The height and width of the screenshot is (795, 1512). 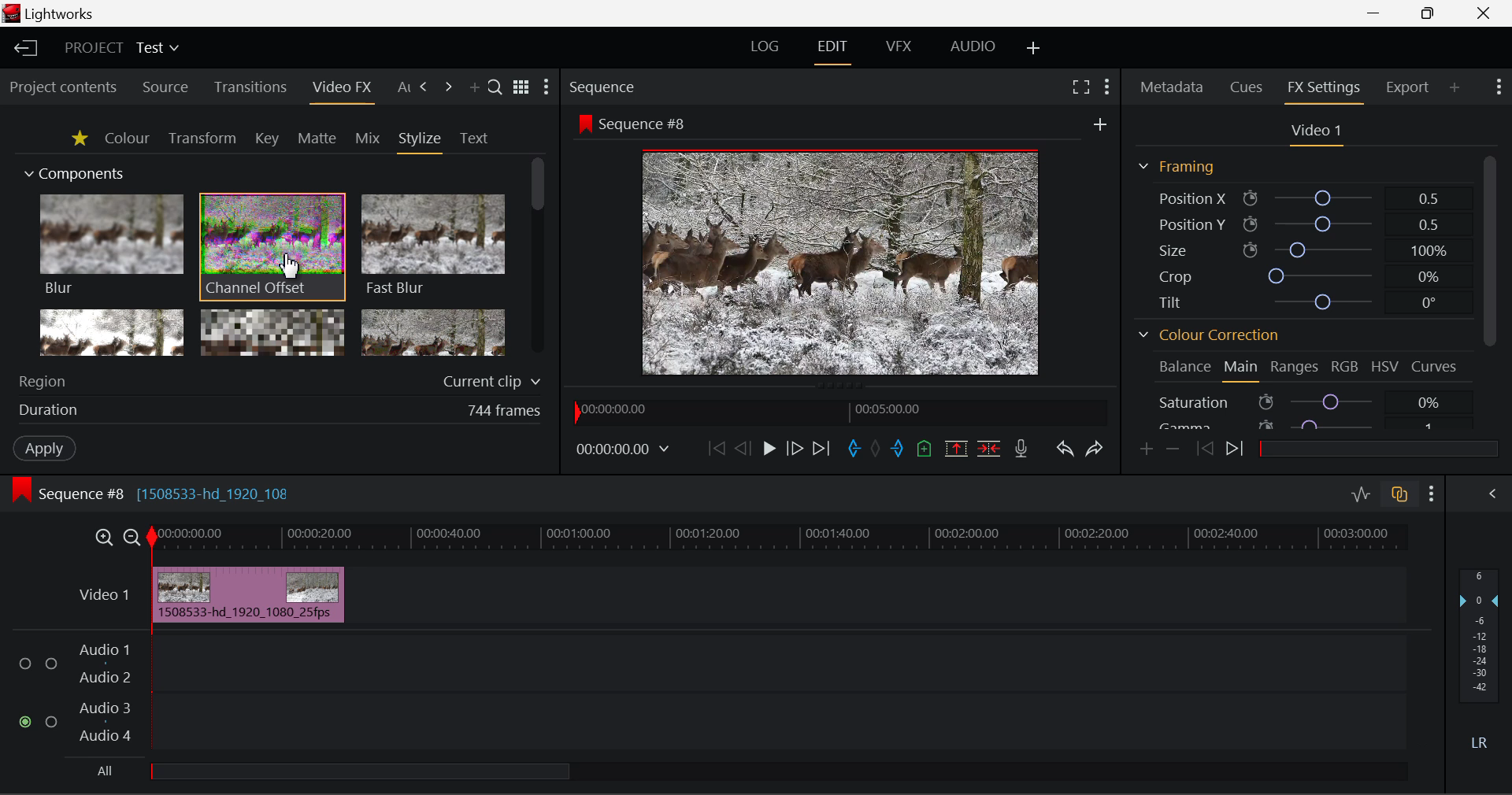 I want to click on Transitions, so click(x=249, y=87).